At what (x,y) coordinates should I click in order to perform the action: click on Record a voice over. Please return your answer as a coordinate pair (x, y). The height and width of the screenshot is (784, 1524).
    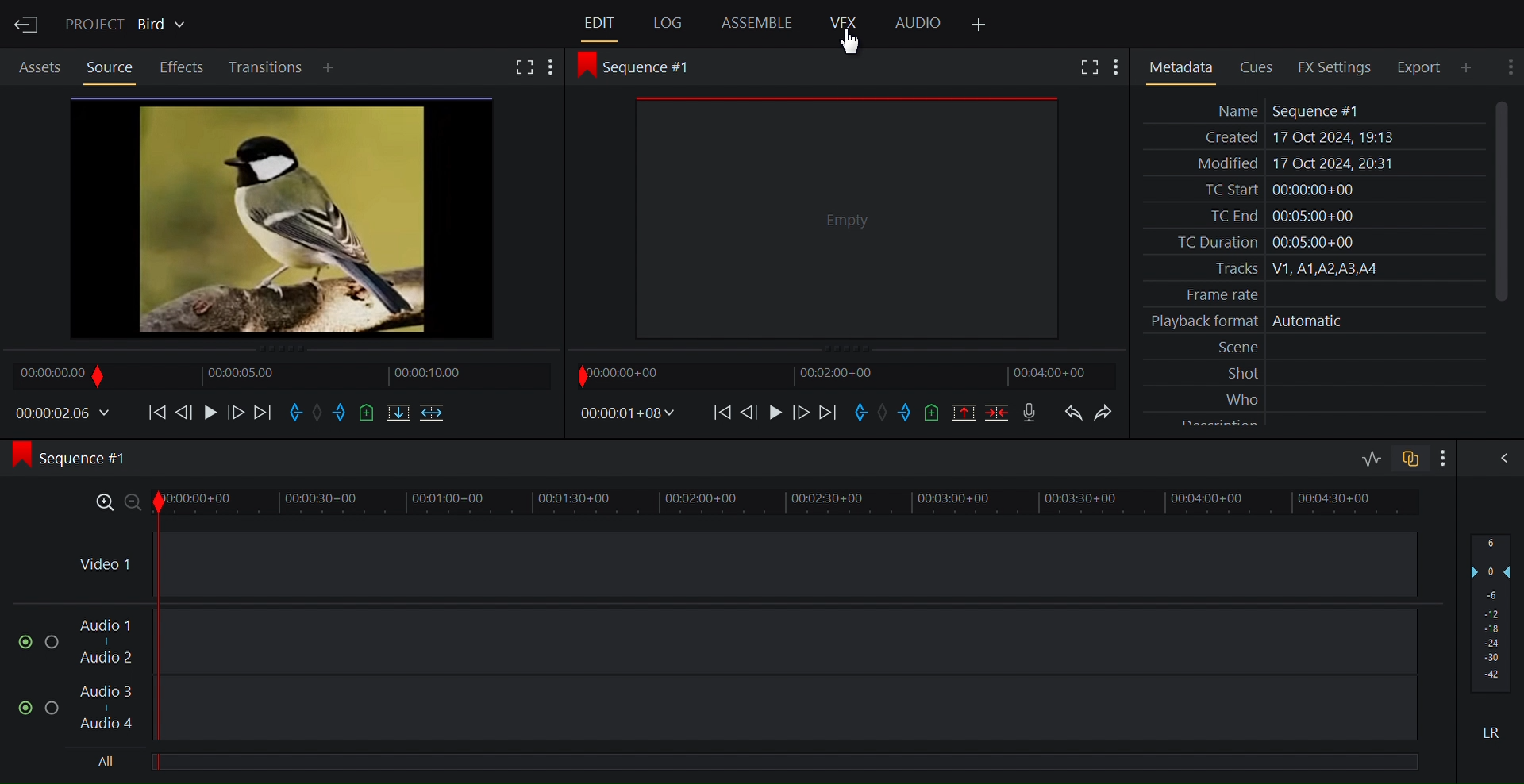
    Looking at the image, I should click on (1033, 413).